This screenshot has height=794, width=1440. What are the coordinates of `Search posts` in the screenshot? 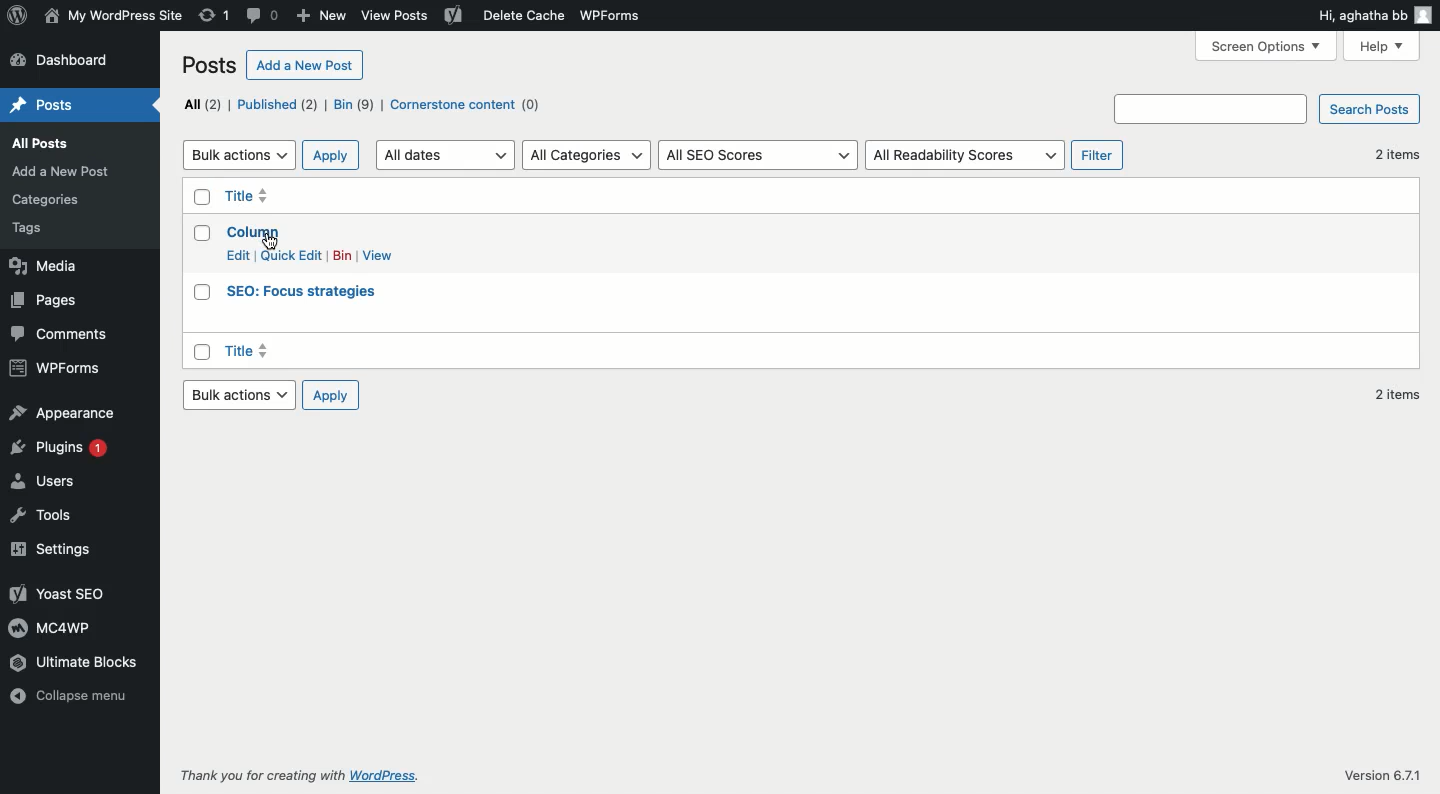 It's located at (1267, 110).